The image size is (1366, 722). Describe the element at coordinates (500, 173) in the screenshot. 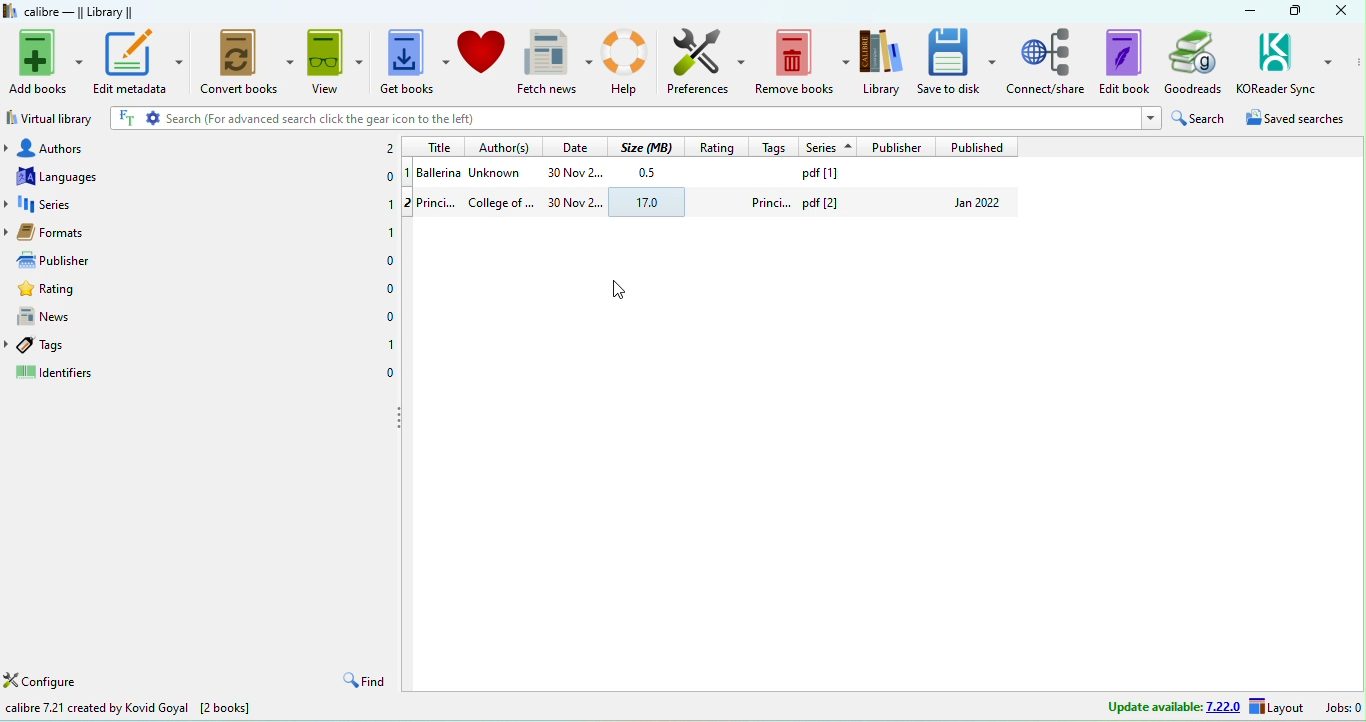

I see `unknown` at that location.